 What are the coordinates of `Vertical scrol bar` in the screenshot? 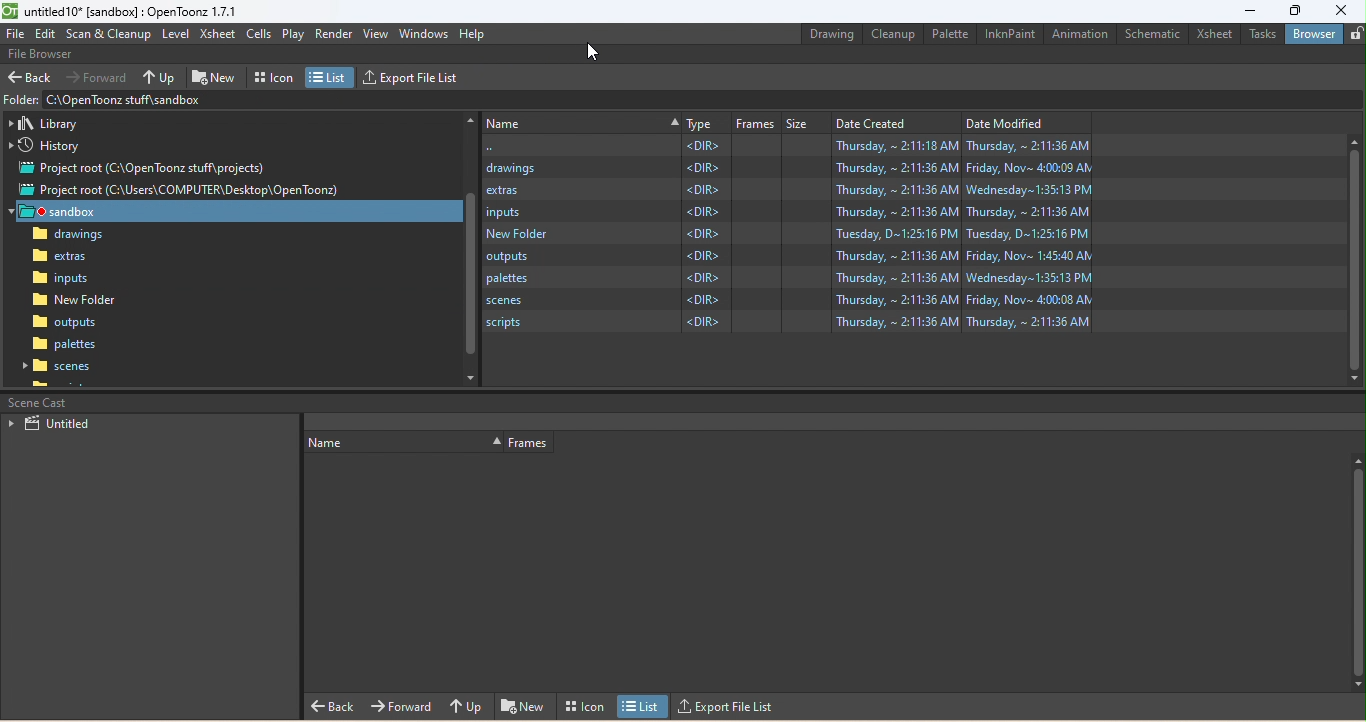 It's located at (1356, 569).